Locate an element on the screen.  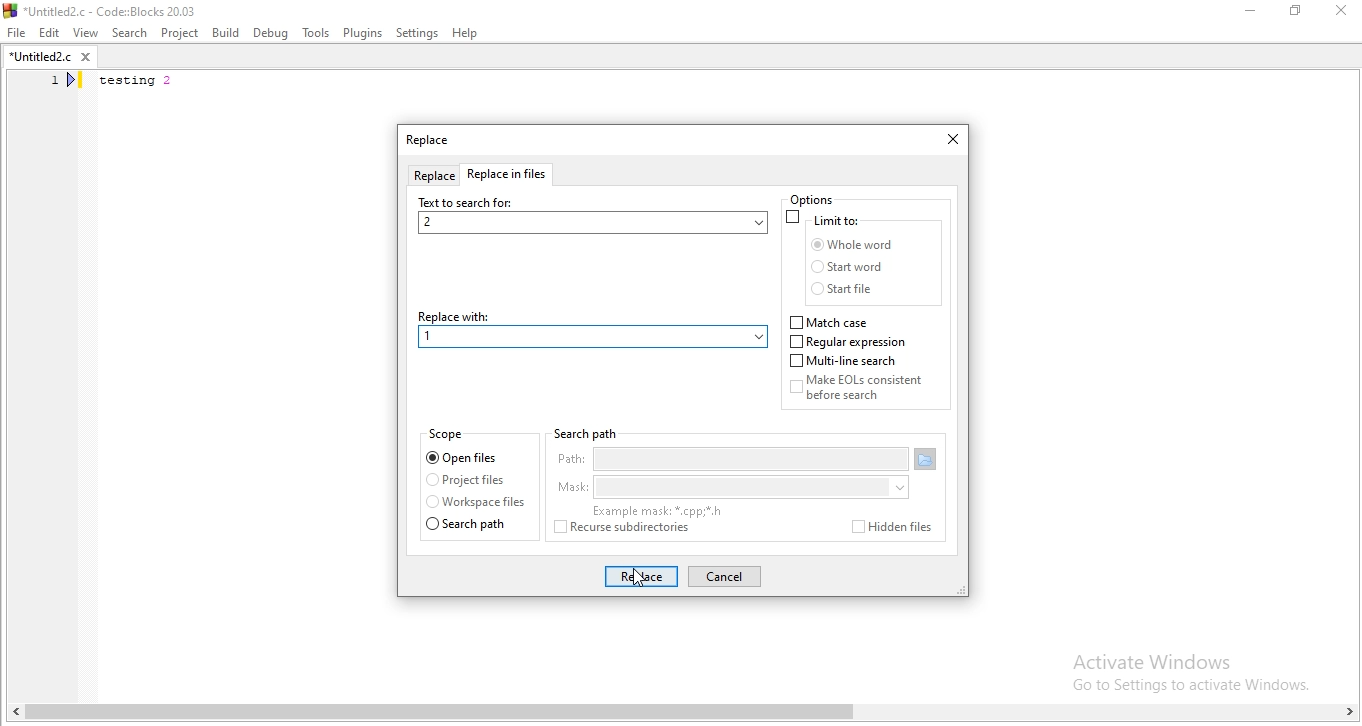
*Untitled2.c - Code::Blocks 20.03 is located at coordinates (121, 9).